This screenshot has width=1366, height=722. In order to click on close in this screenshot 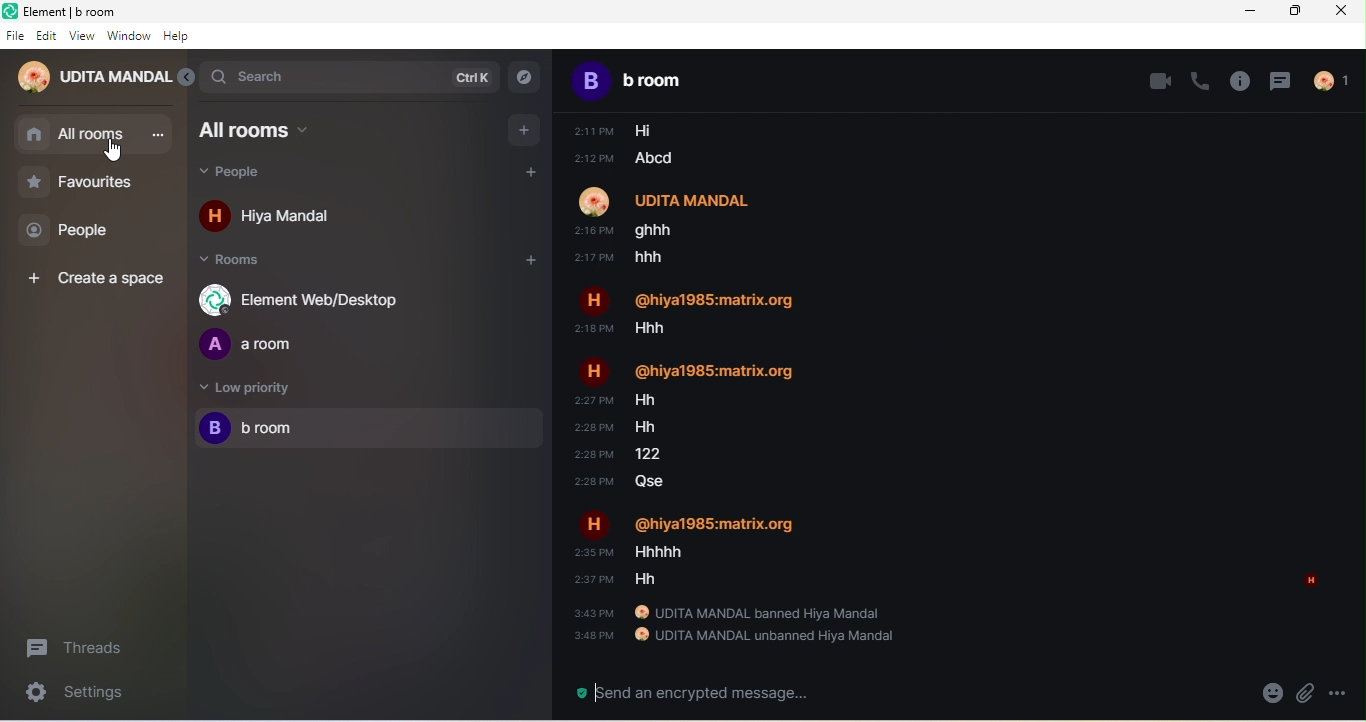, I will do `click(1347, 15)`.